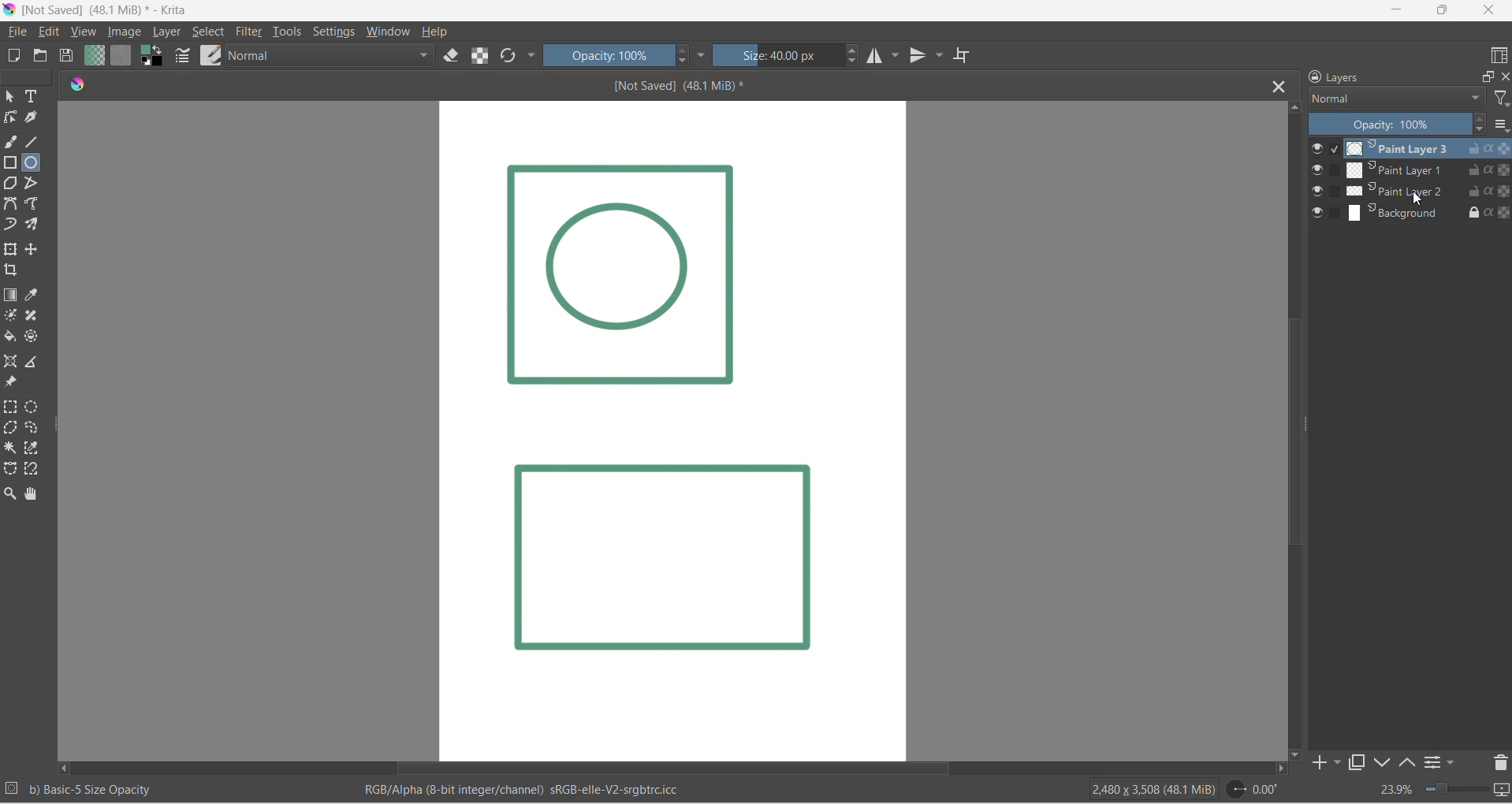  What do you see at coordinates (700, 87) in the screenshot?
I see `[Not Saved] (48.1 MiB)*` at bounding box center [700, 87].